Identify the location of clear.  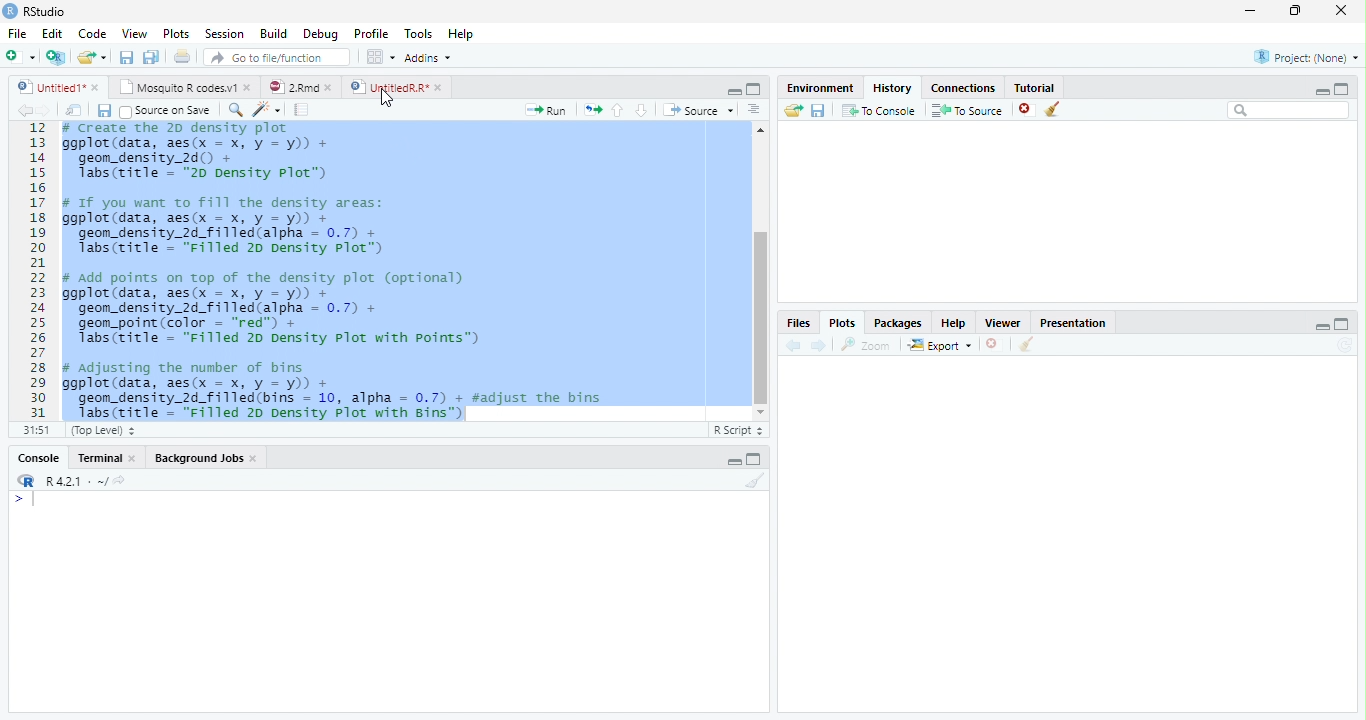
(1026, 346).